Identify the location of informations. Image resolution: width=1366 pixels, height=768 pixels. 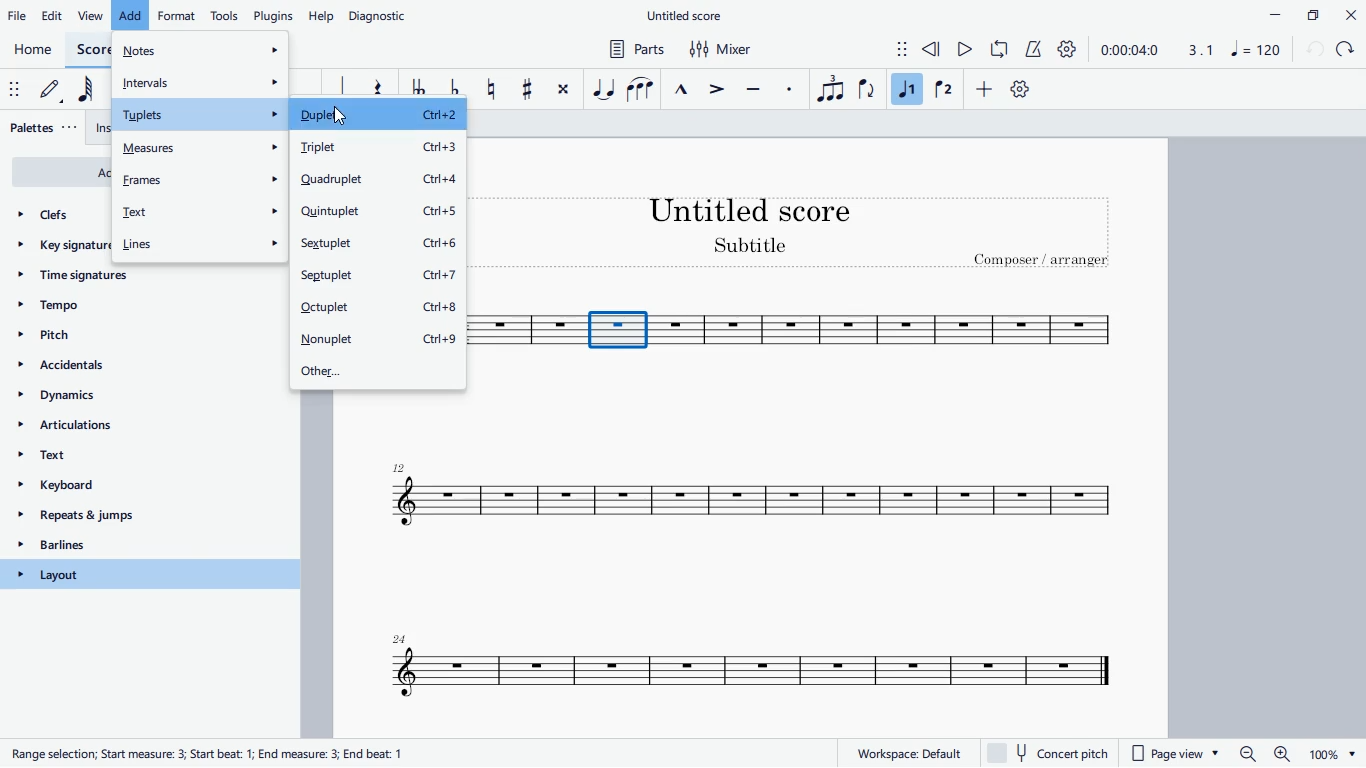
(211, 751).